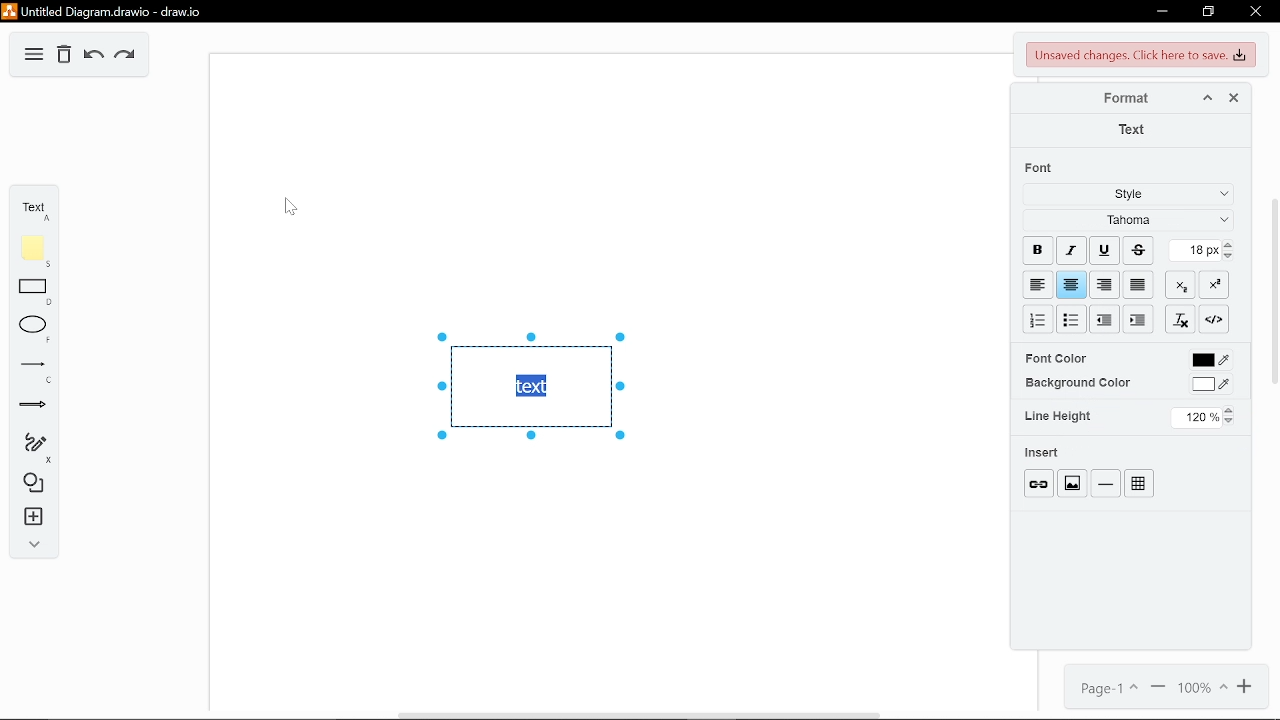  Describe the element at coordinates (92, 56) in the screenshot. I see `undo` at that location.